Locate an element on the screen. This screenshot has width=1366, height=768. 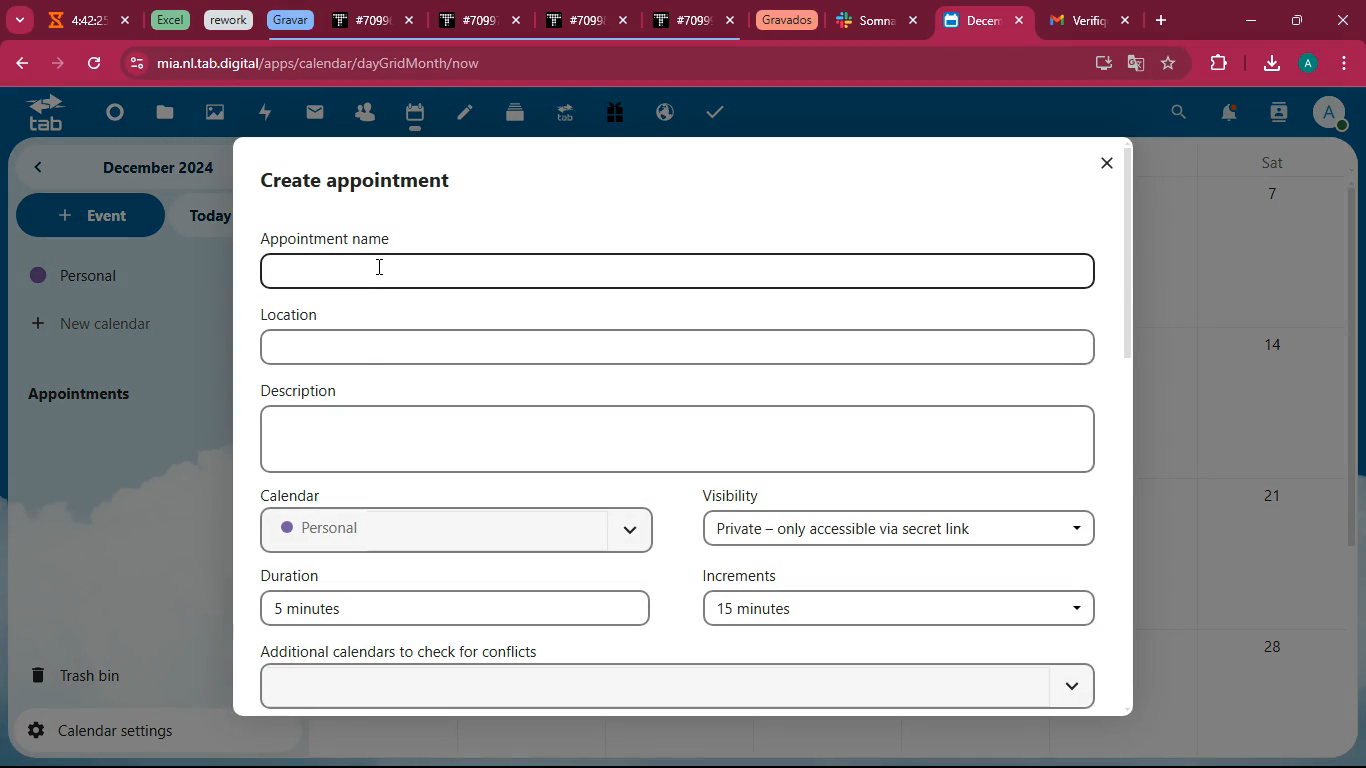
description is located at coordinates (304, 389).